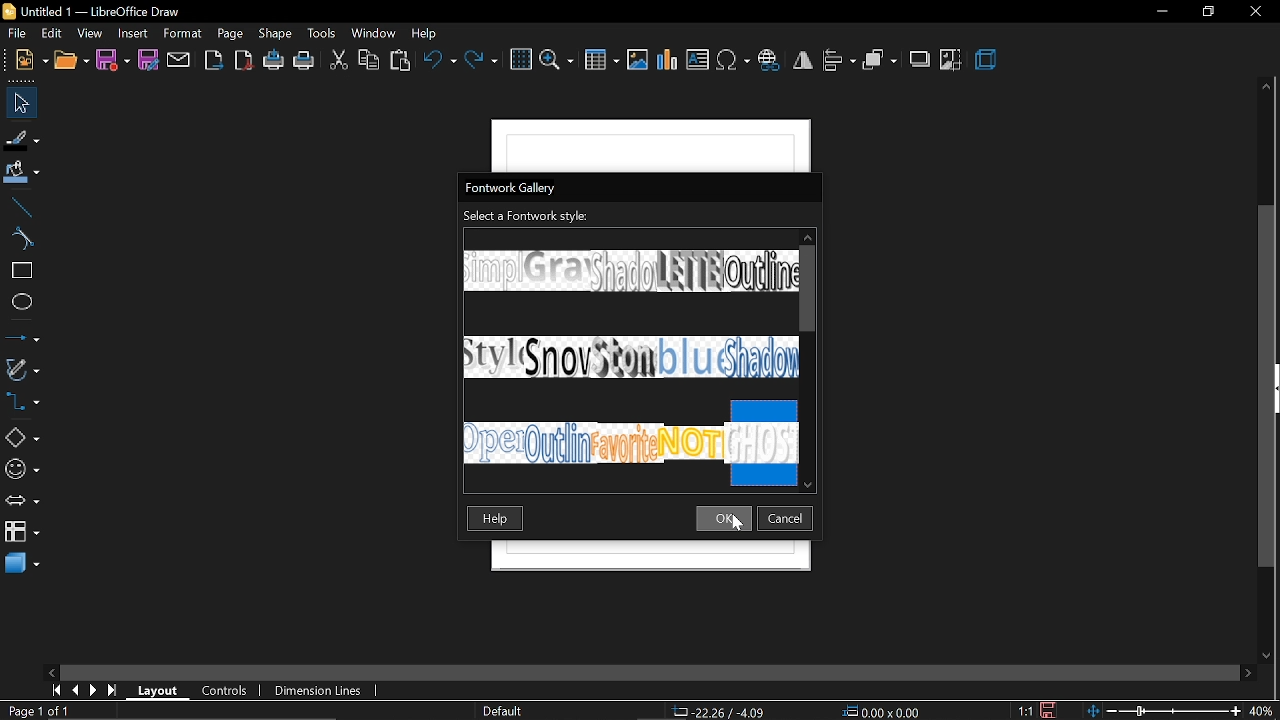  What do you see at coordinates (503, 712) in the screenshot?
I see `Default` at bounding box center [503, 712].